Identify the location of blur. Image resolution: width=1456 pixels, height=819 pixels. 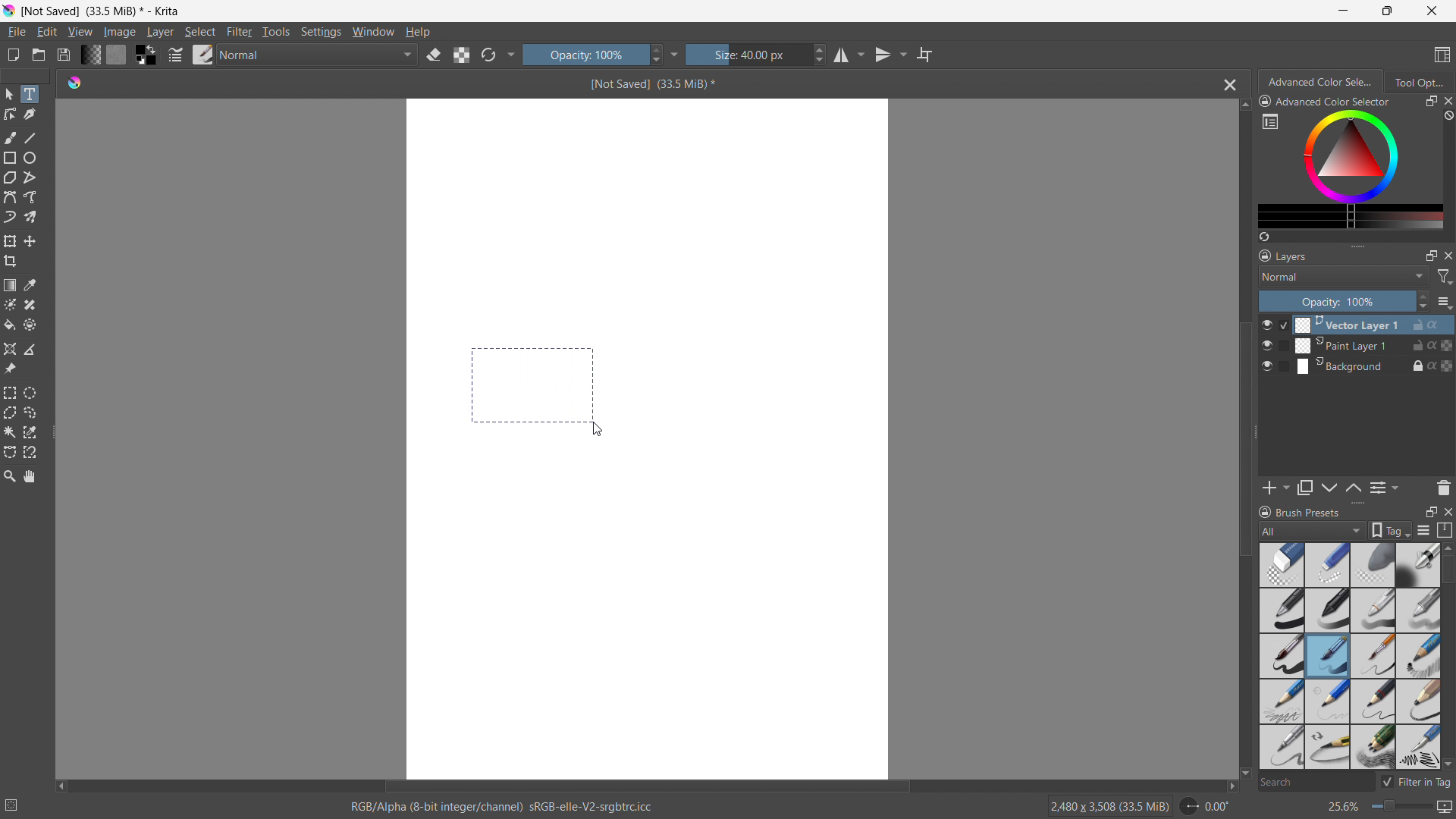
(1372, 565).